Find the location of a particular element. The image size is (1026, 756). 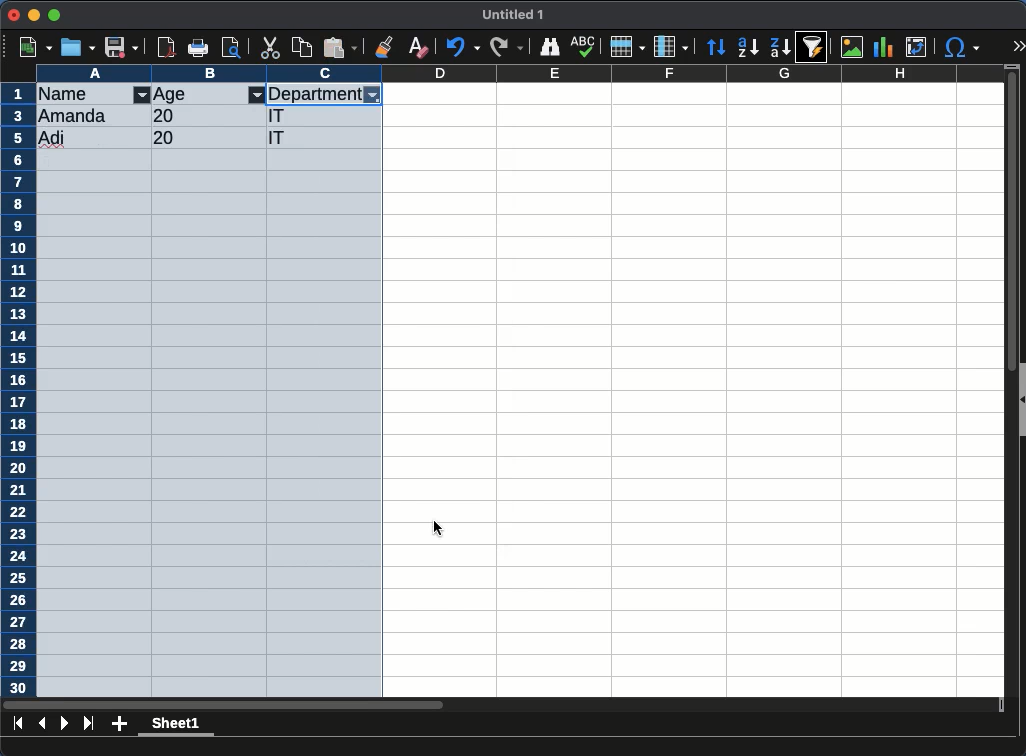

open is located at coordinates (78, 47).